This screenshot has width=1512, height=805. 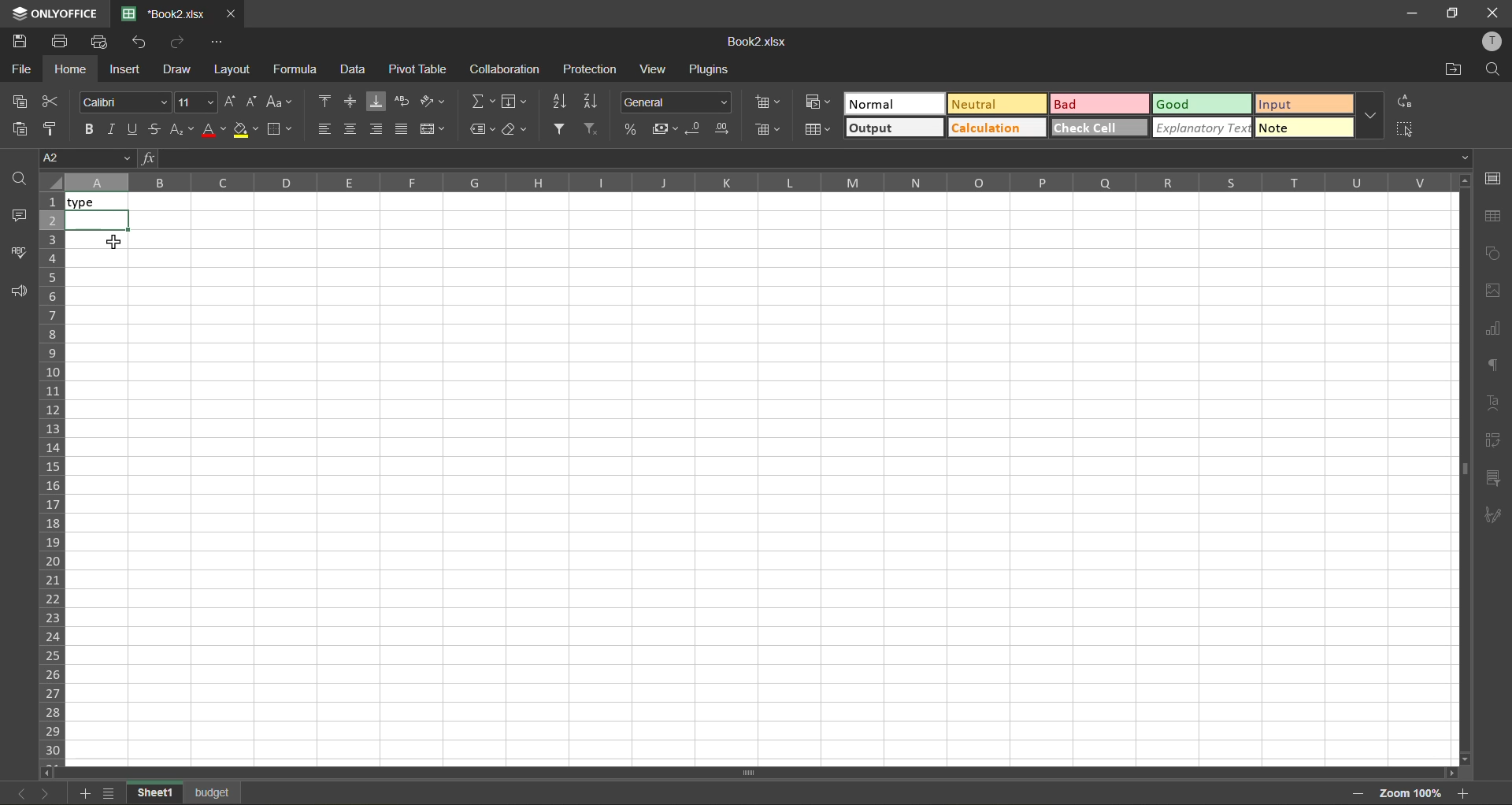 I want to click on home, so click(x=72, y=68).